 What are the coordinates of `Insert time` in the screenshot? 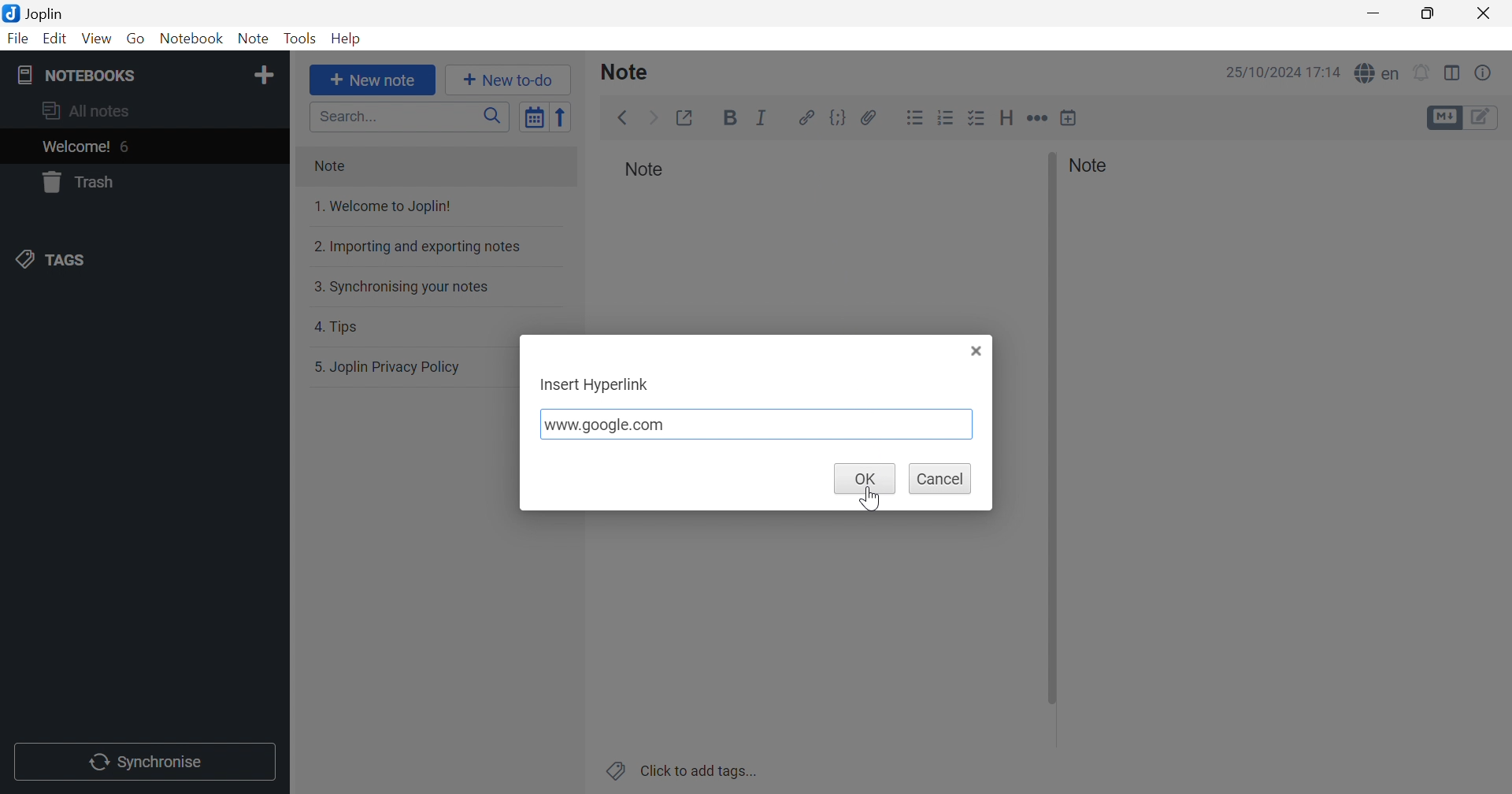 It's located at (1069, 117).